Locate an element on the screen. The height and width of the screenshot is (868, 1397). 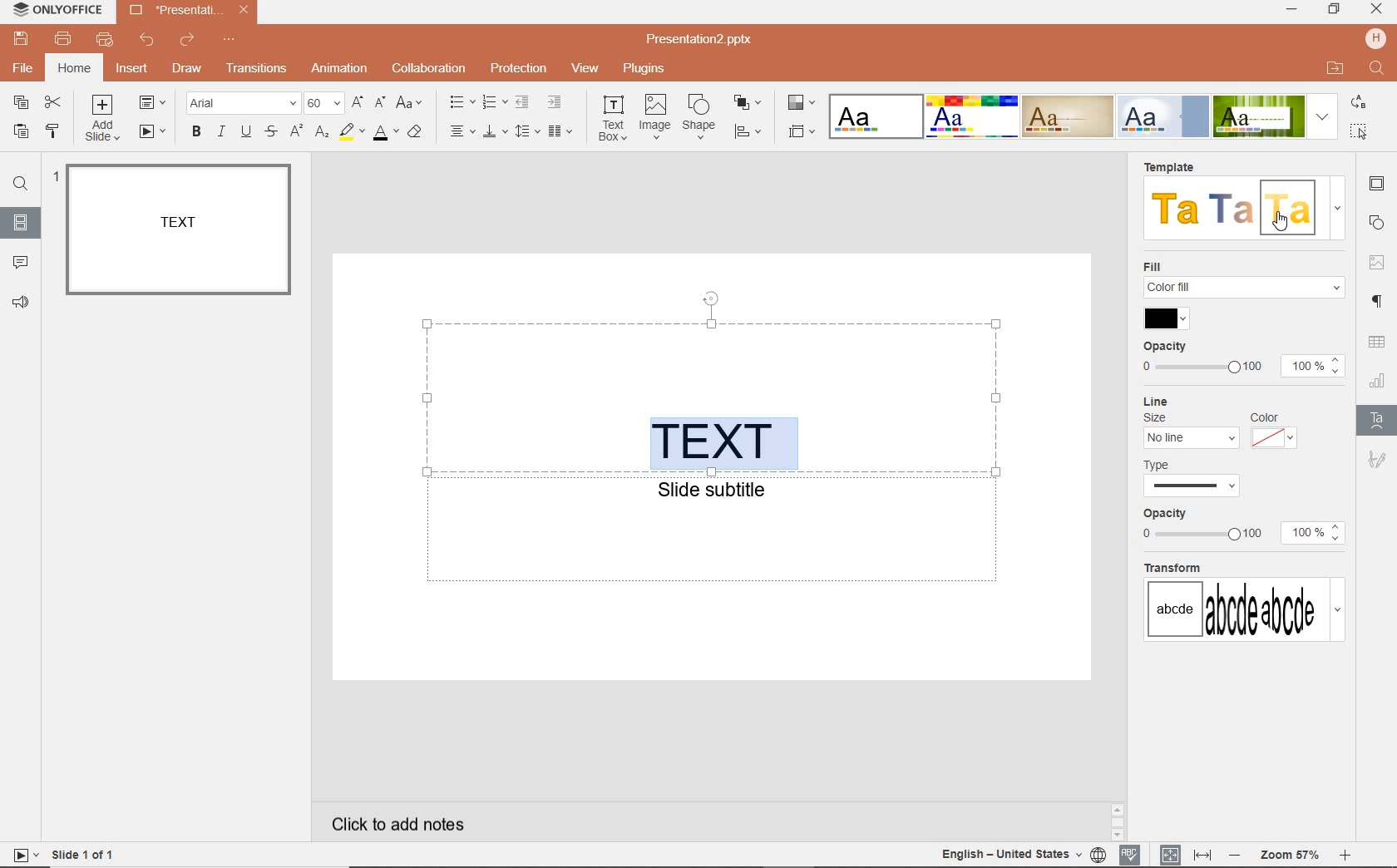
PRINT is located at coordinates (64, 39).